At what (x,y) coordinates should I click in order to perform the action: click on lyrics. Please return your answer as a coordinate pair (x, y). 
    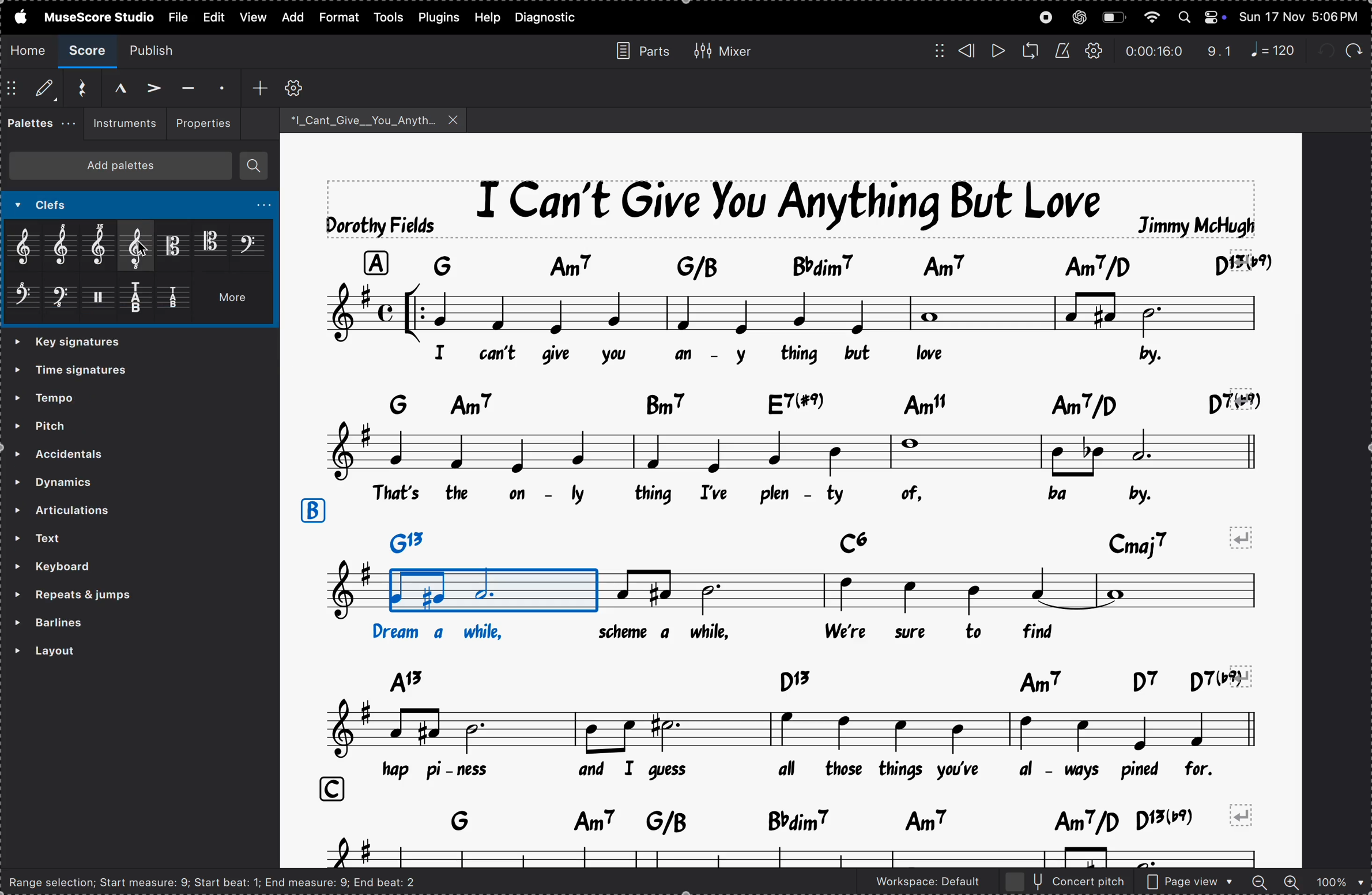
    Looking at the image, I should click on (699, 354).